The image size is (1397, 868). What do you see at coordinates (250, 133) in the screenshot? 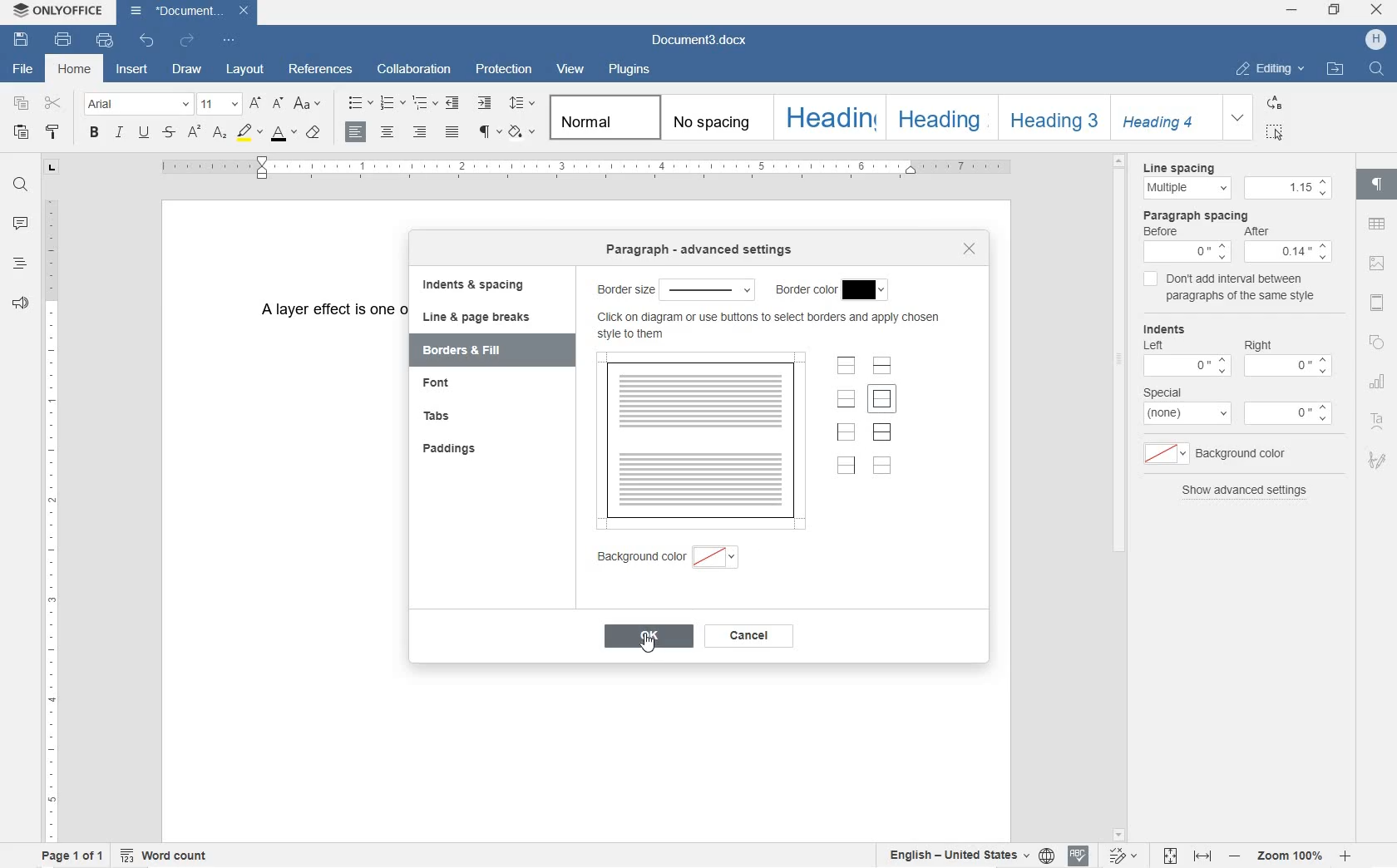
I see `HIGHLIGHT COLOR` at bounding box center [250, 133].